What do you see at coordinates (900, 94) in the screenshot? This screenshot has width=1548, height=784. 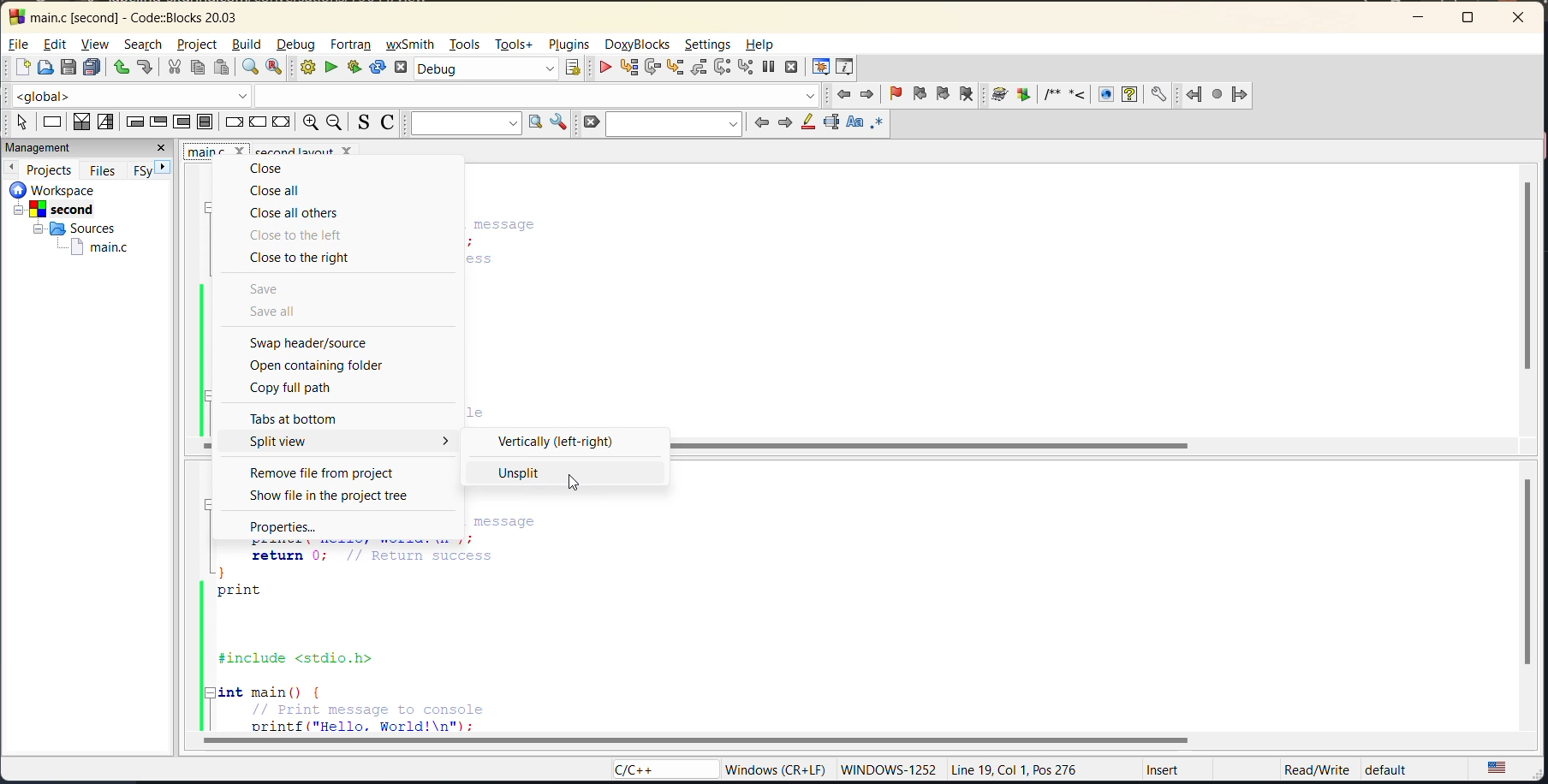 I see `toggle bookmark` at bounding box center [900, 94].